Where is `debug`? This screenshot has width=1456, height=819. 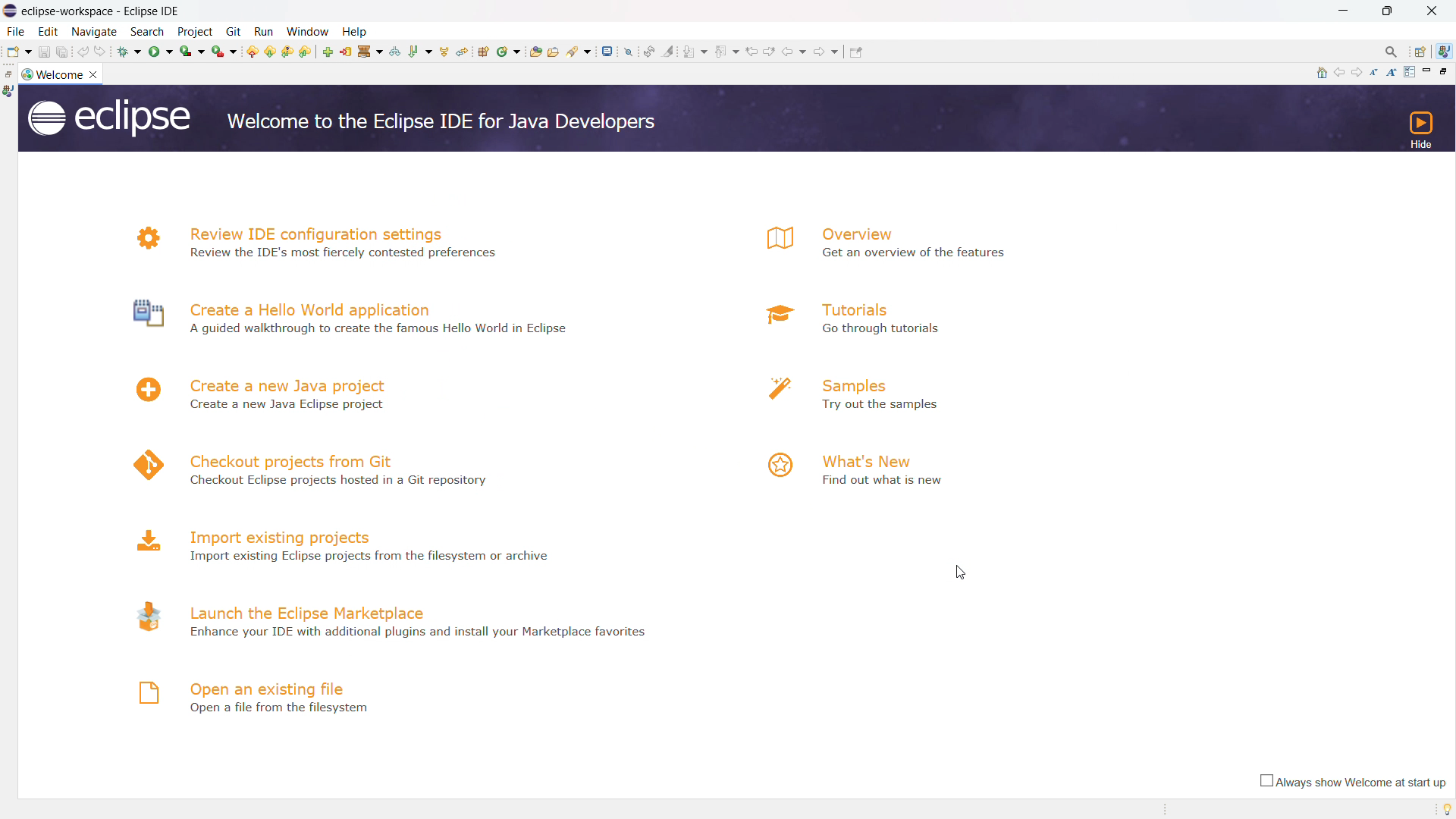
debug is located at coordinates (128, 52).